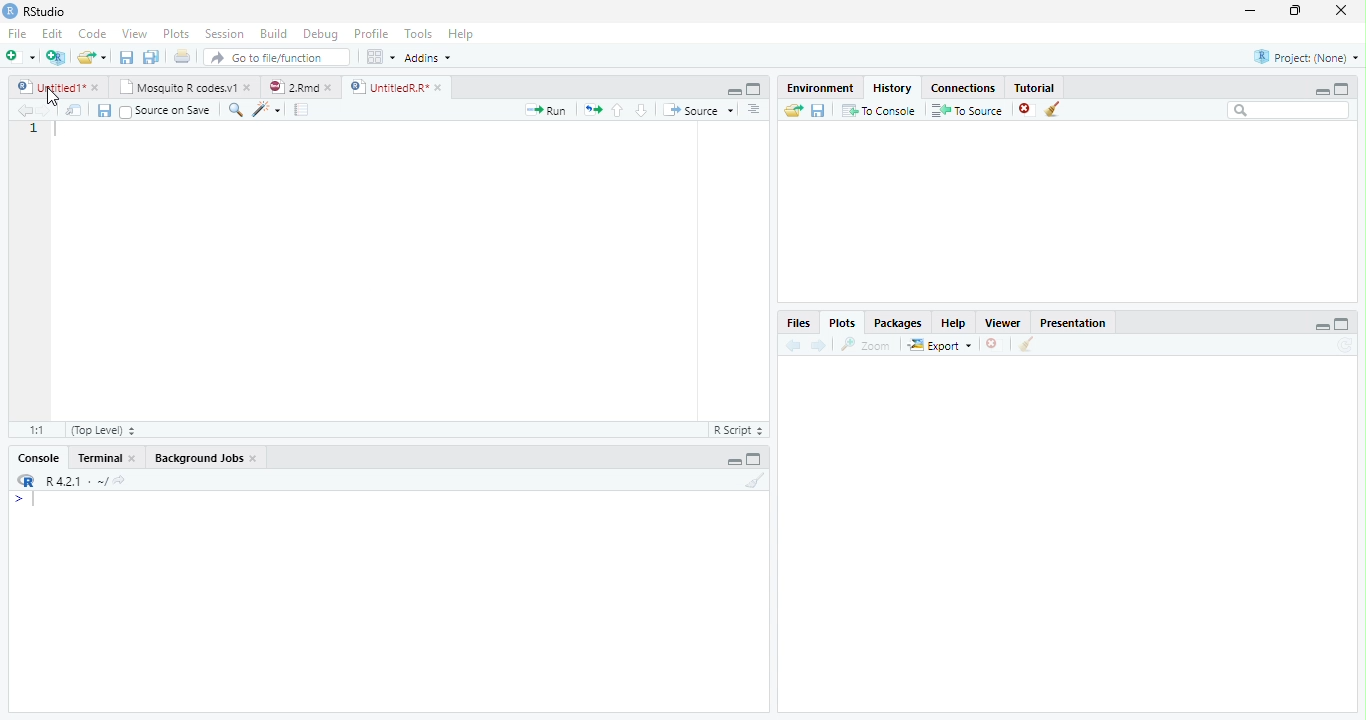 Image resolution: width=1366 pixels, height=720 pixels. I want to click on next, so click(52, 112).